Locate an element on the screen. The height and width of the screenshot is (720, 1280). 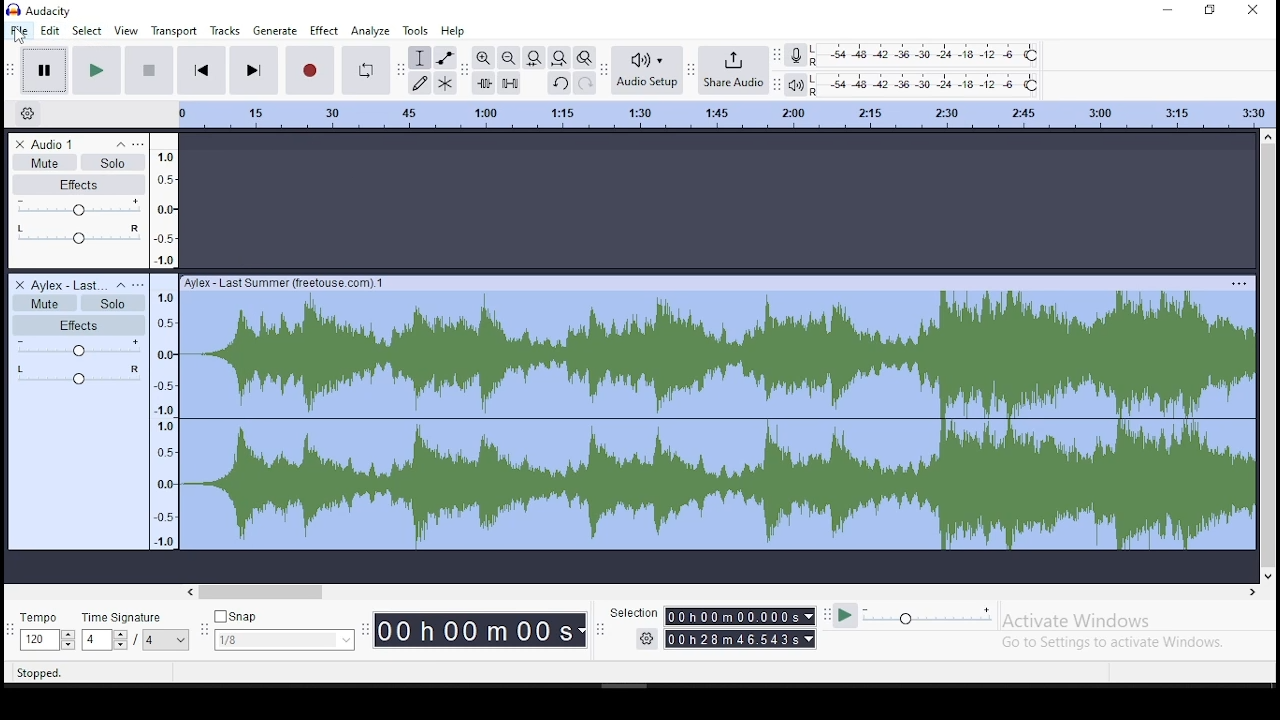
volume is located at coordinates (80, 347).